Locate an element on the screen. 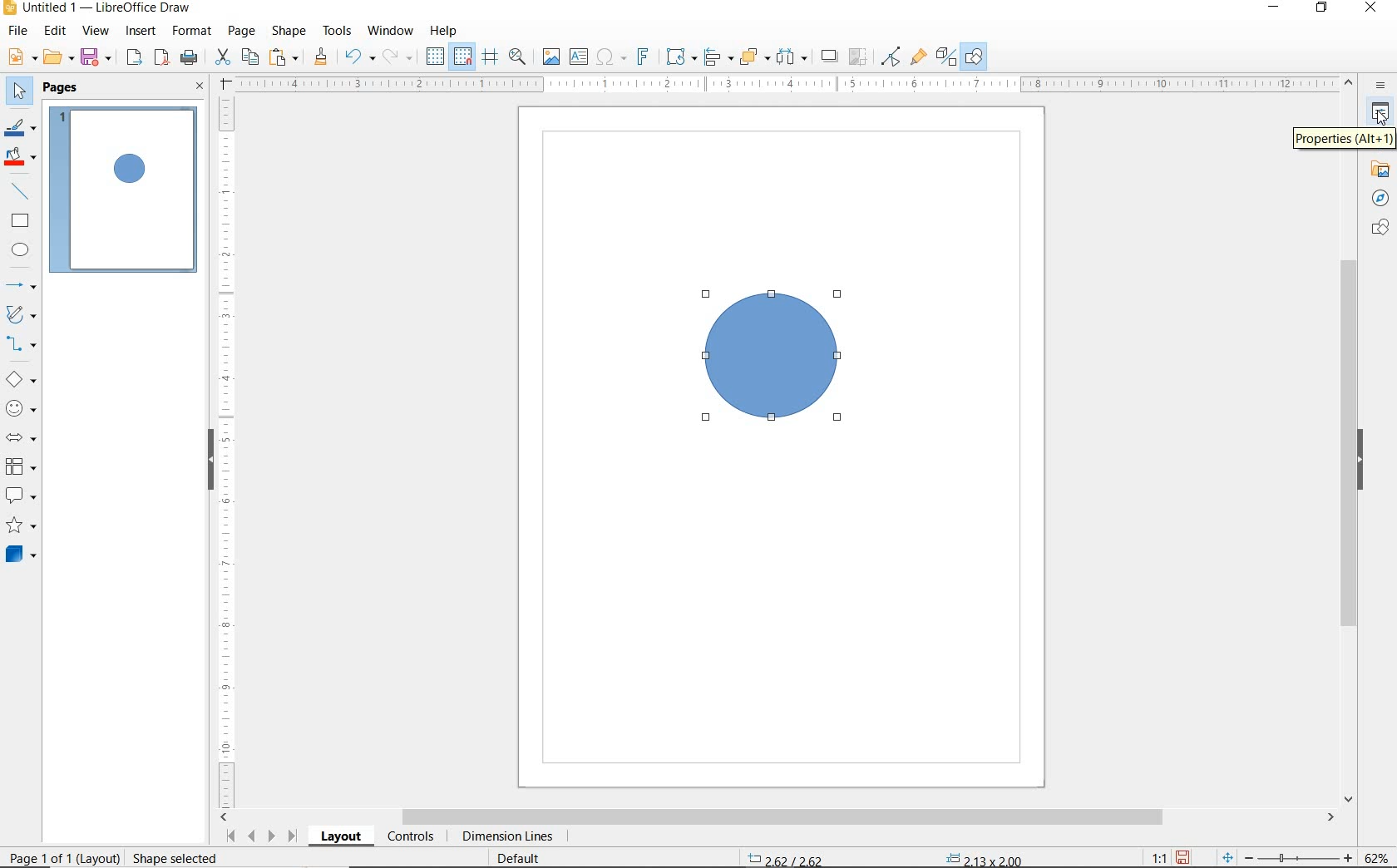  RULER is located at coordinates (787, 82).